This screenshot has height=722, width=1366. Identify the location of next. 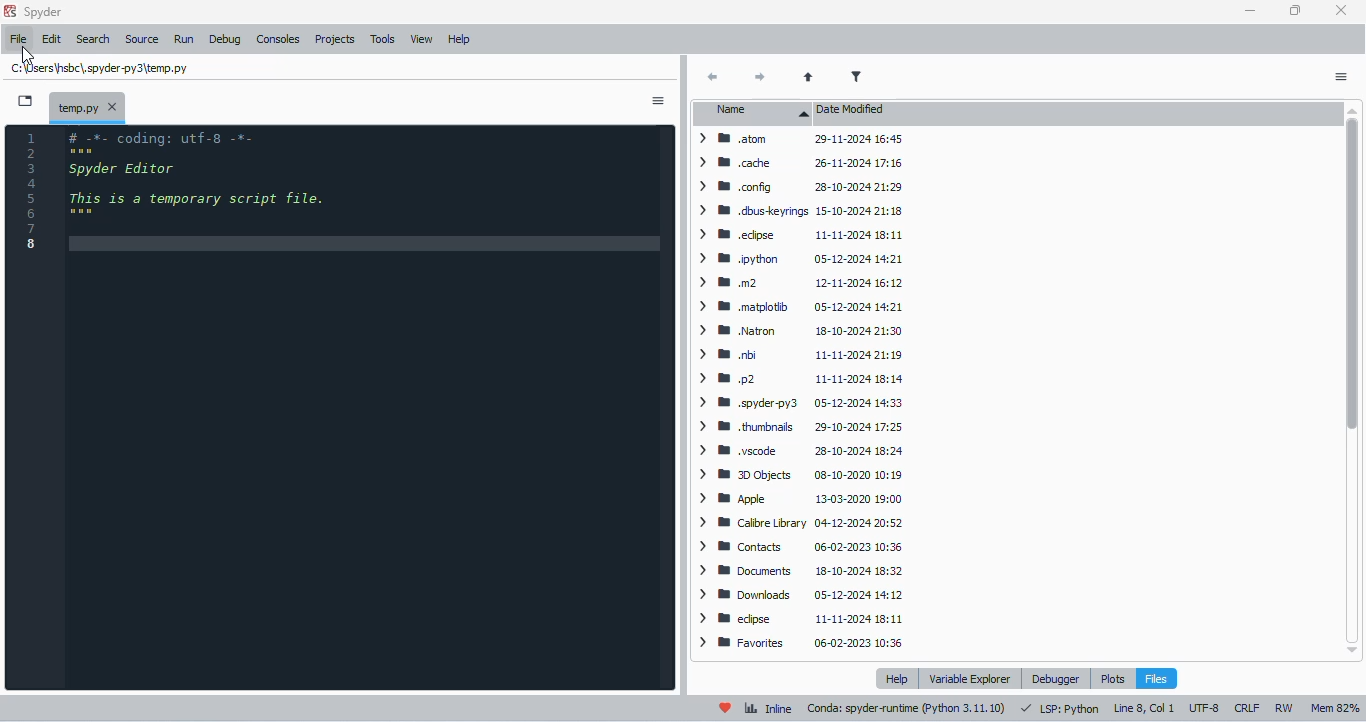
(759, 77).